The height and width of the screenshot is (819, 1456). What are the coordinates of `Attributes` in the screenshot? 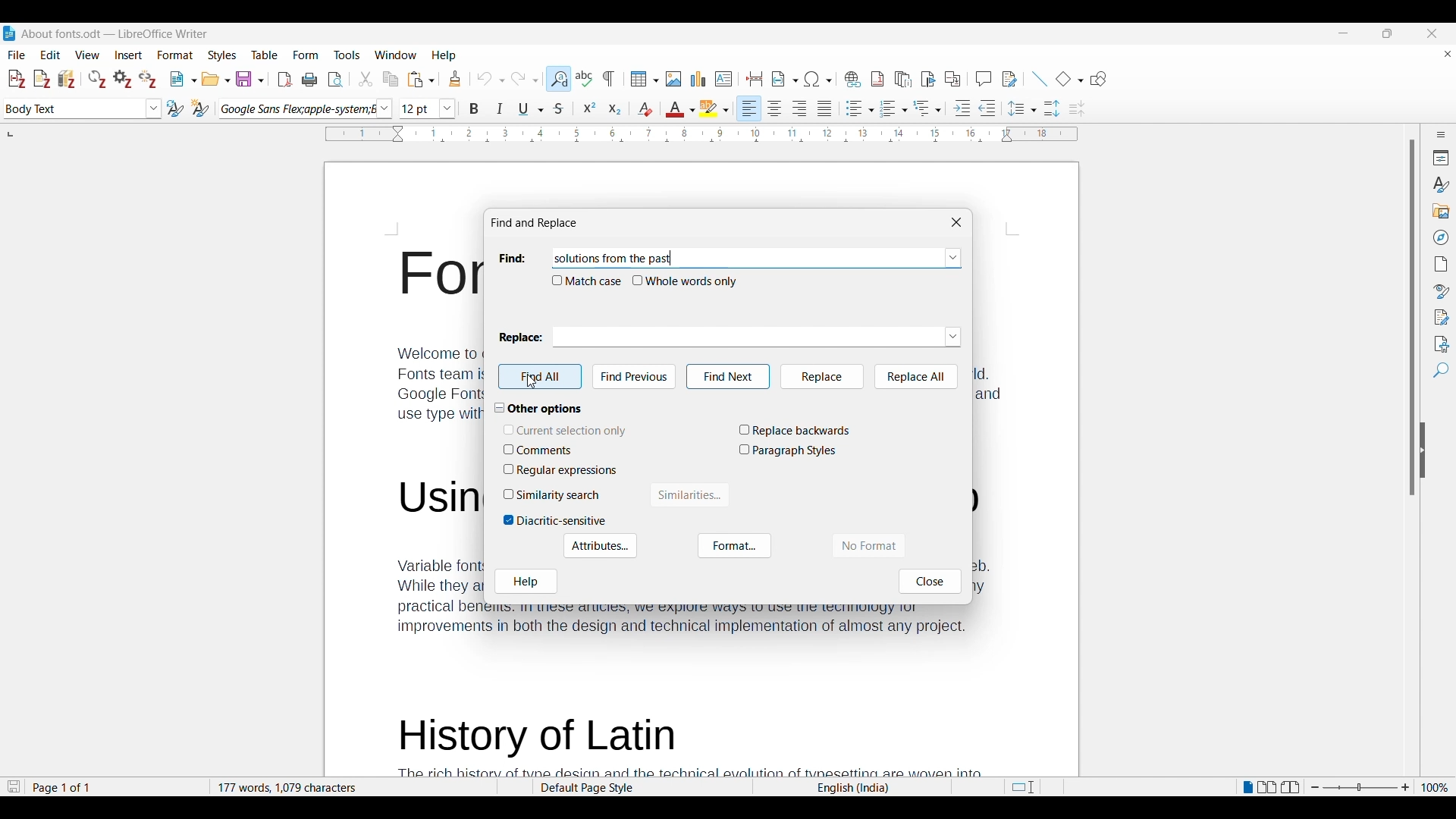 It's located at (601, 546).